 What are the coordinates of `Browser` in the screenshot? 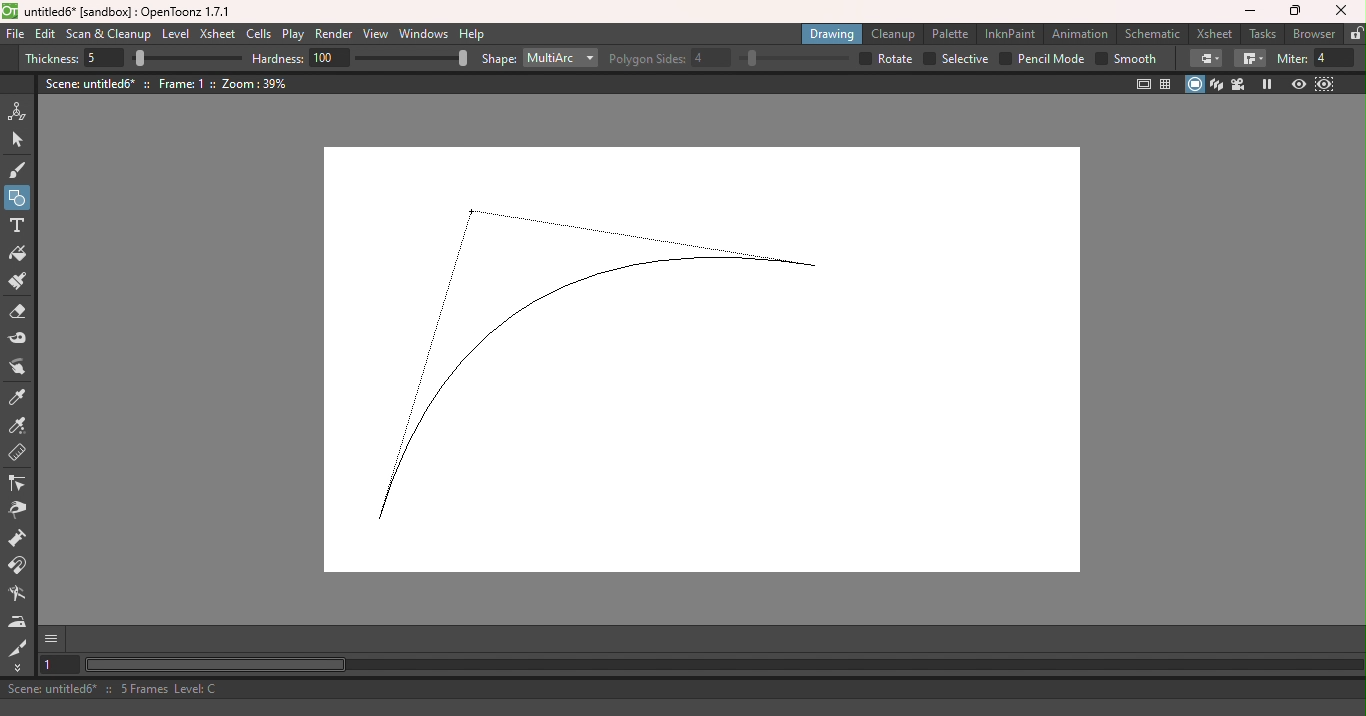 It's located at (1314, 33).